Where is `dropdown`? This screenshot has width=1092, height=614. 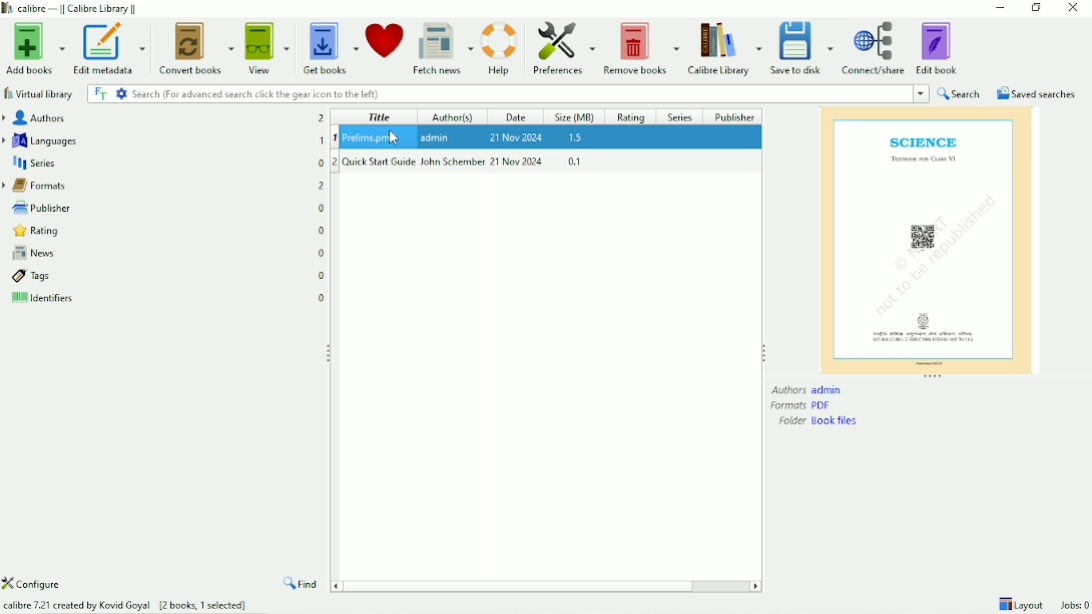 dropdown is located at coordinates (922, 93).